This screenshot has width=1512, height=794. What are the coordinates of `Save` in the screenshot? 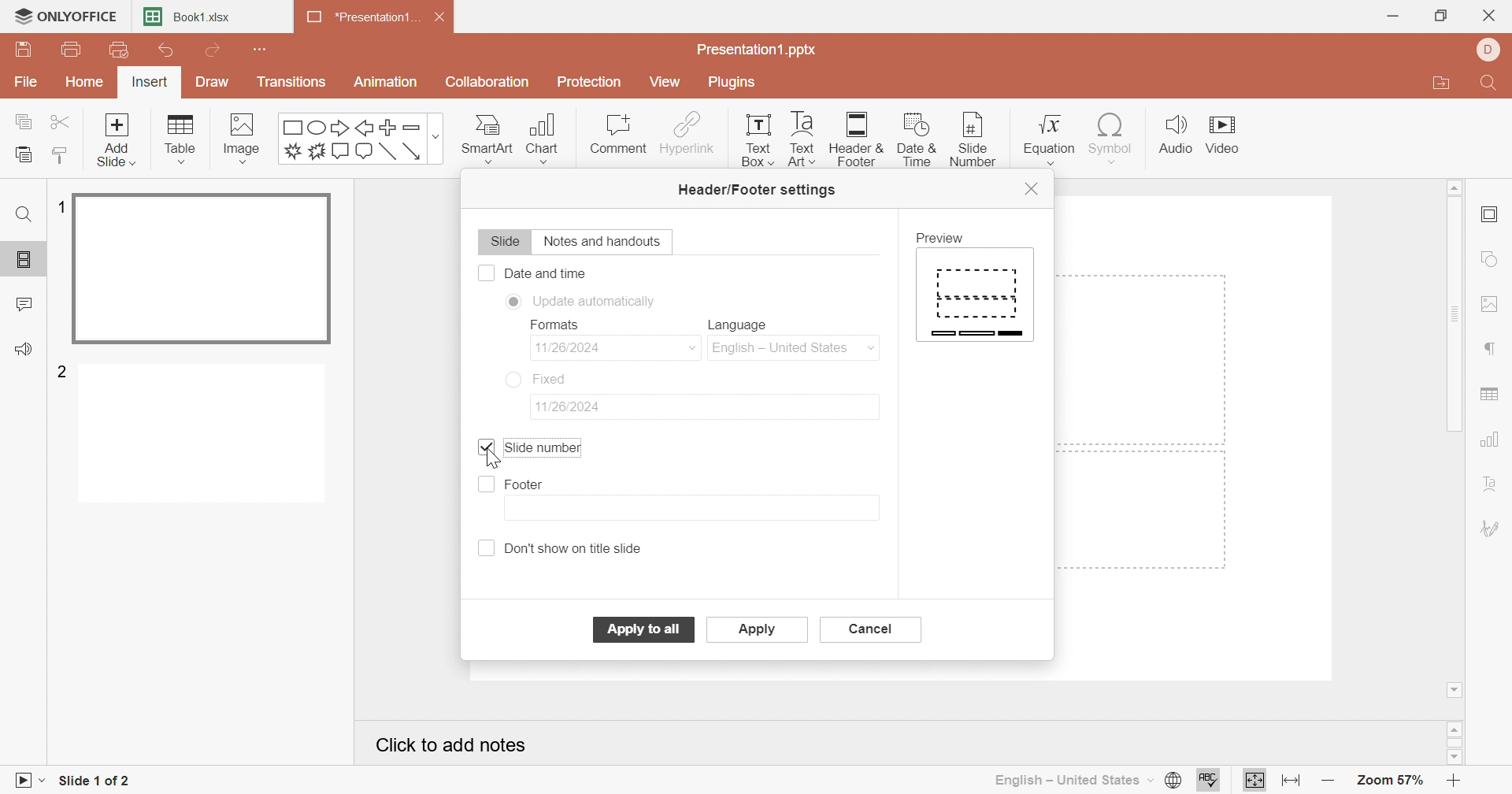 It's located at (23, 50).